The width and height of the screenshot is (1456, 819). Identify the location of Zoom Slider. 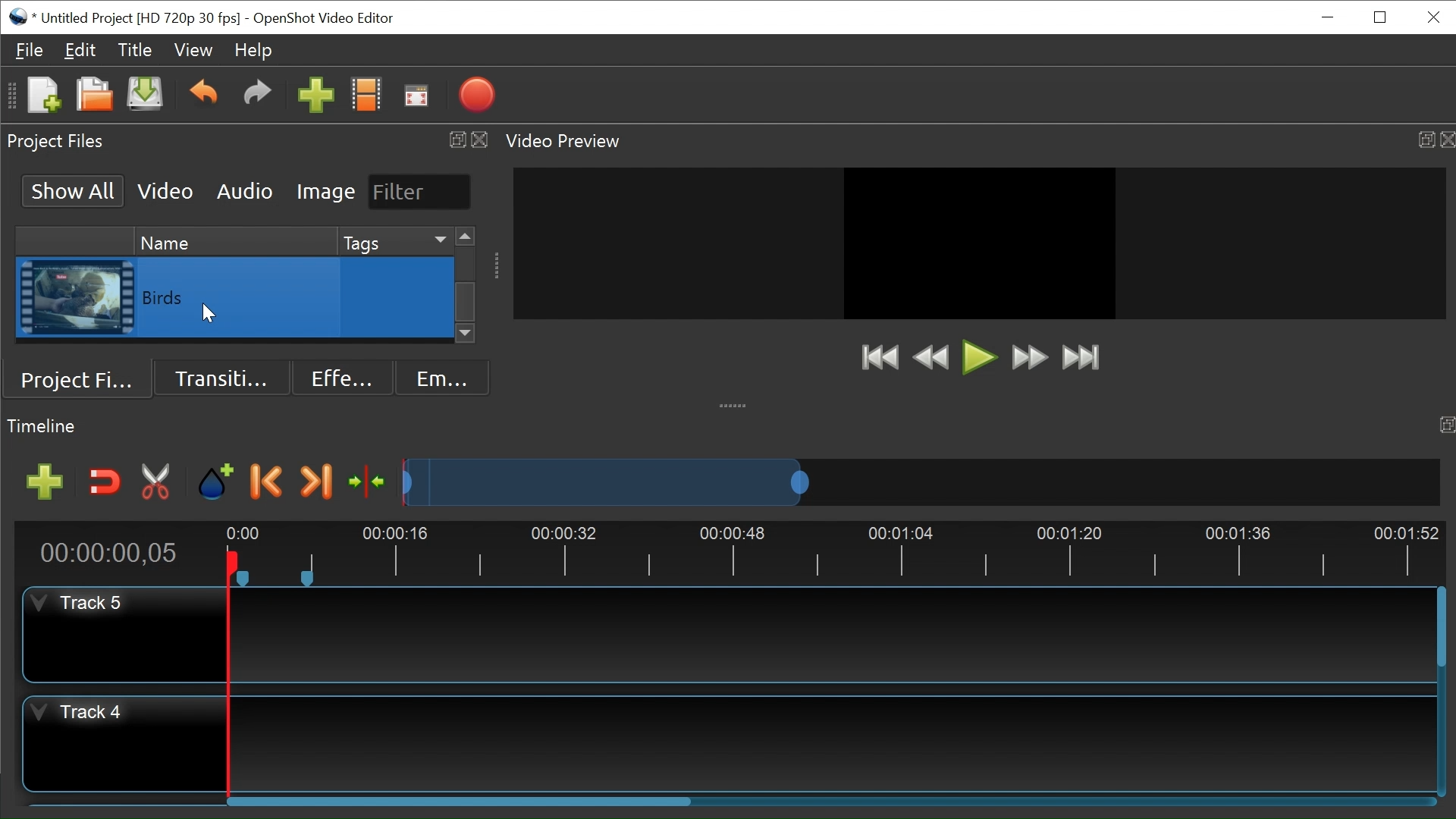
(915, 480).